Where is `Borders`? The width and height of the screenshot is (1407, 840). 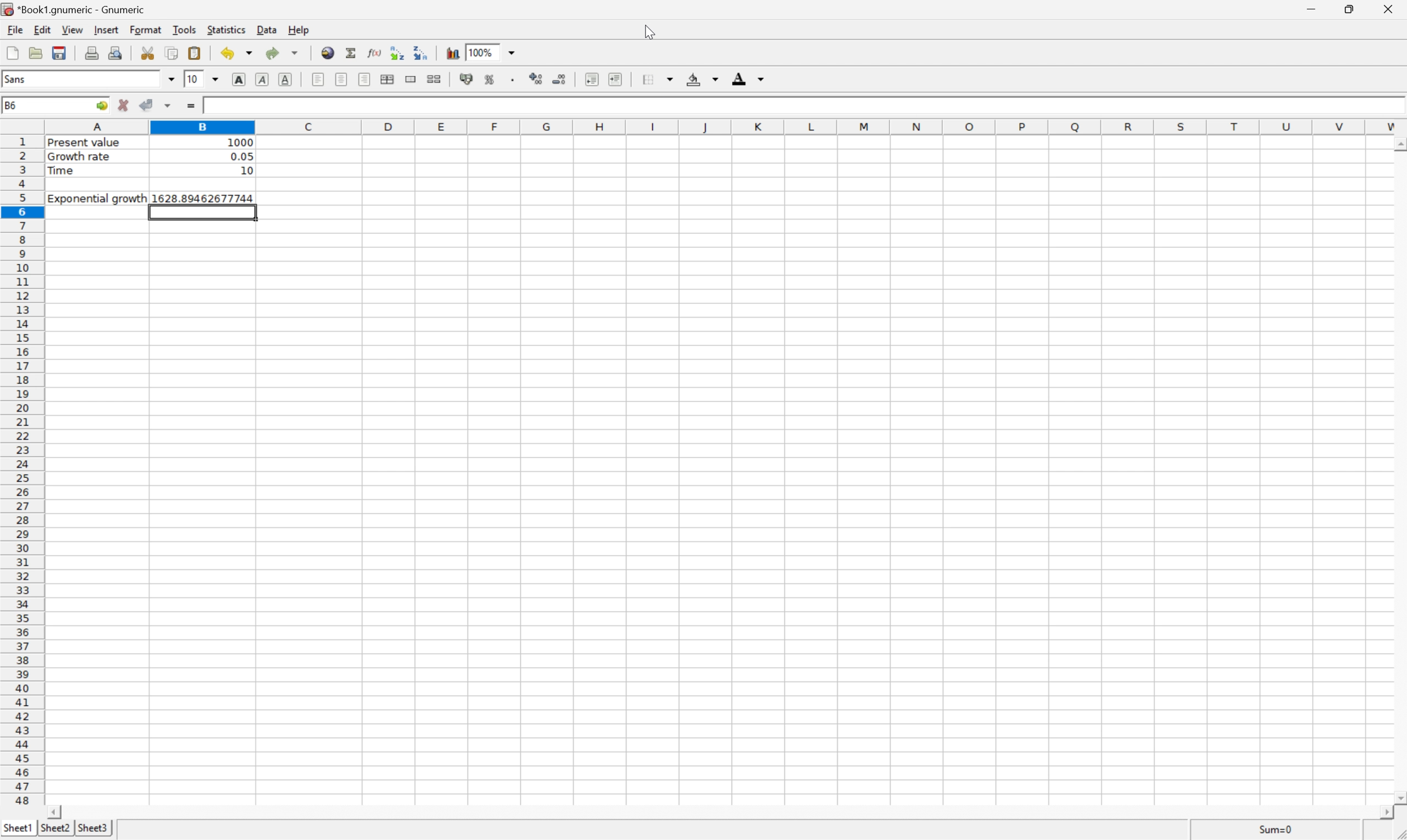 Borders is located at coordinates (655, 79).